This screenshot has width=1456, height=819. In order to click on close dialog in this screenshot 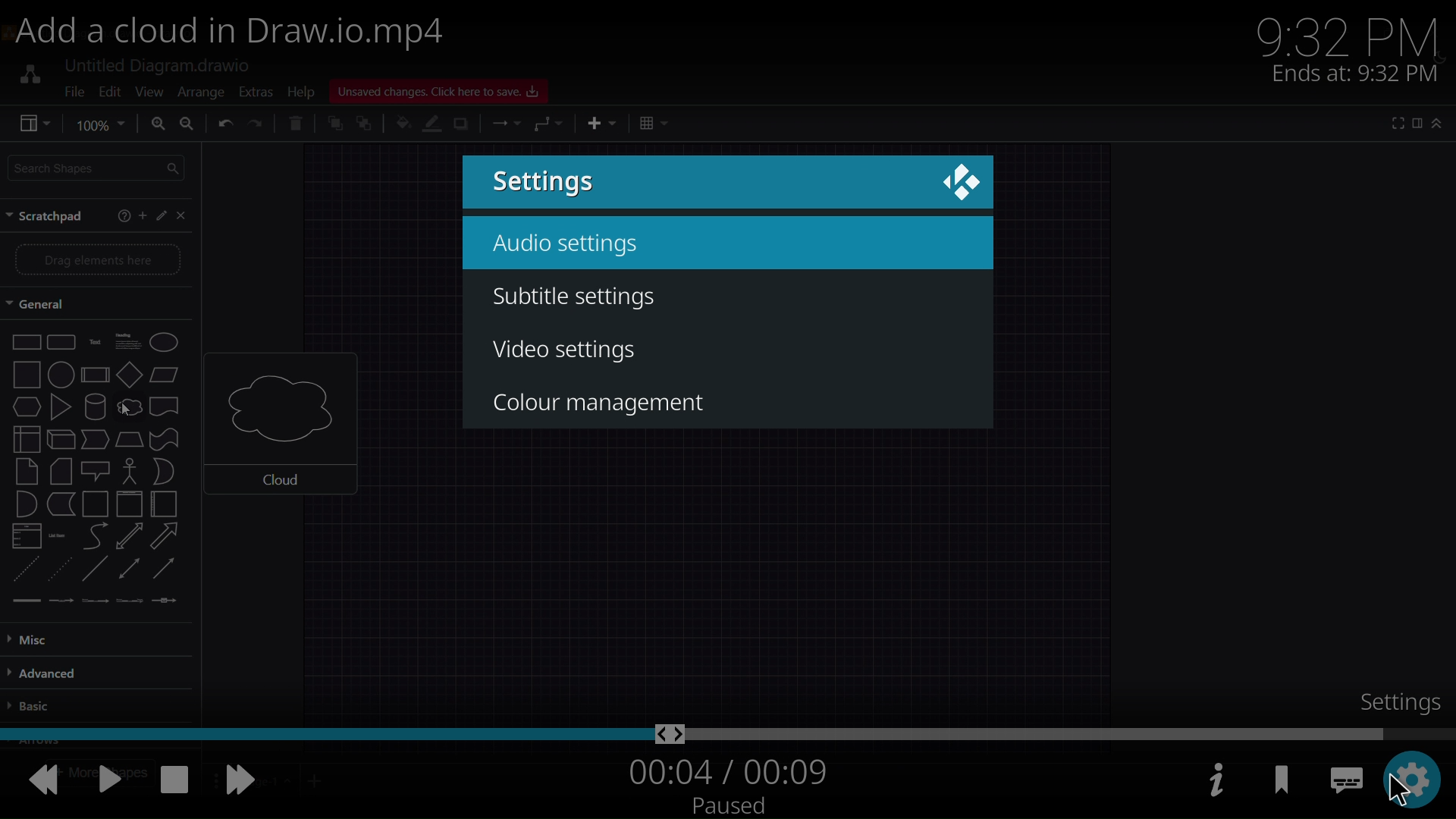, I will do `click(960, 180)`.